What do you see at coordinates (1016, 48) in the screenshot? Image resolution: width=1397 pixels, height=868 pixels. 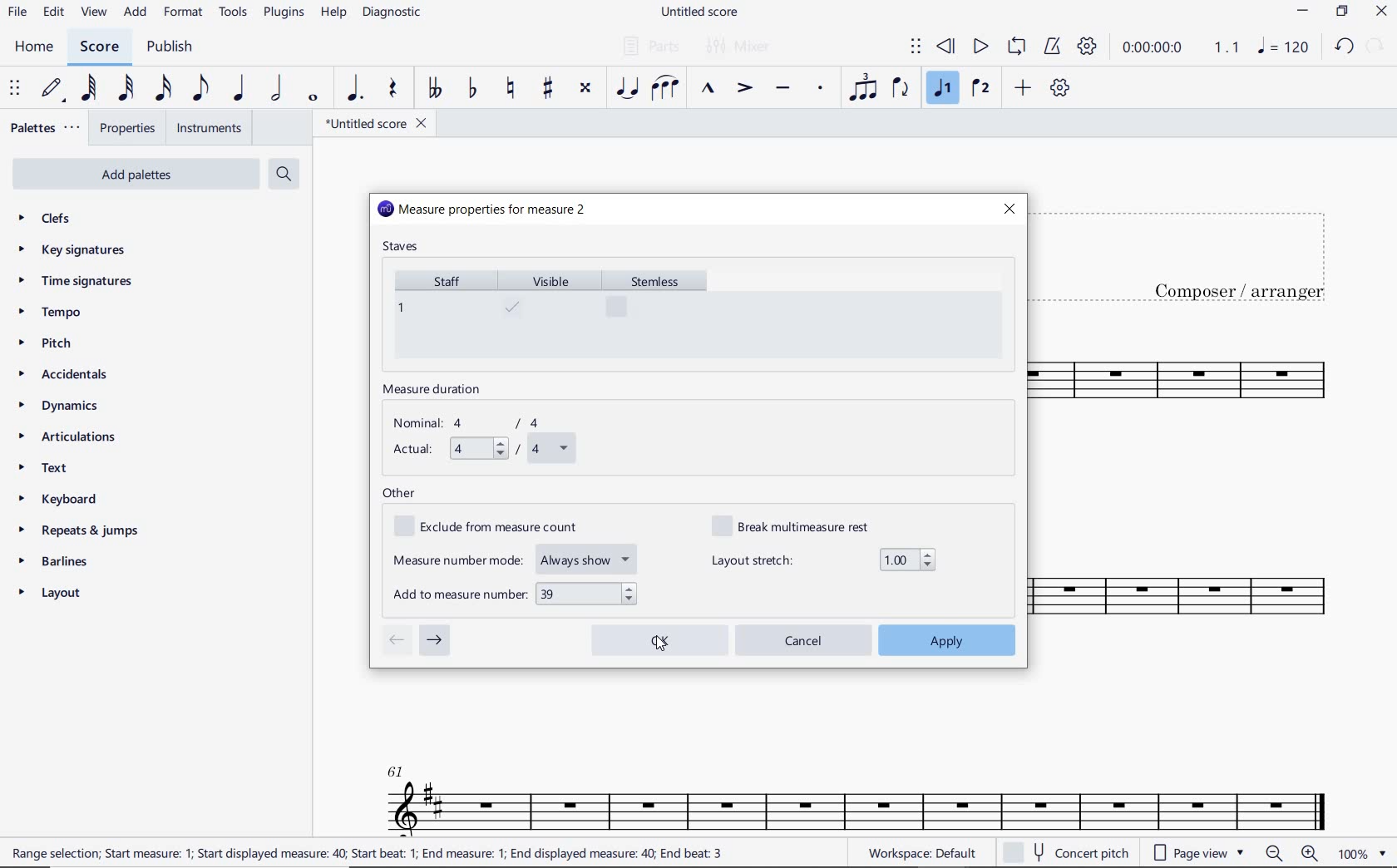 I see `LOOP PLAYBACK` at bounding box center [1016, 48].